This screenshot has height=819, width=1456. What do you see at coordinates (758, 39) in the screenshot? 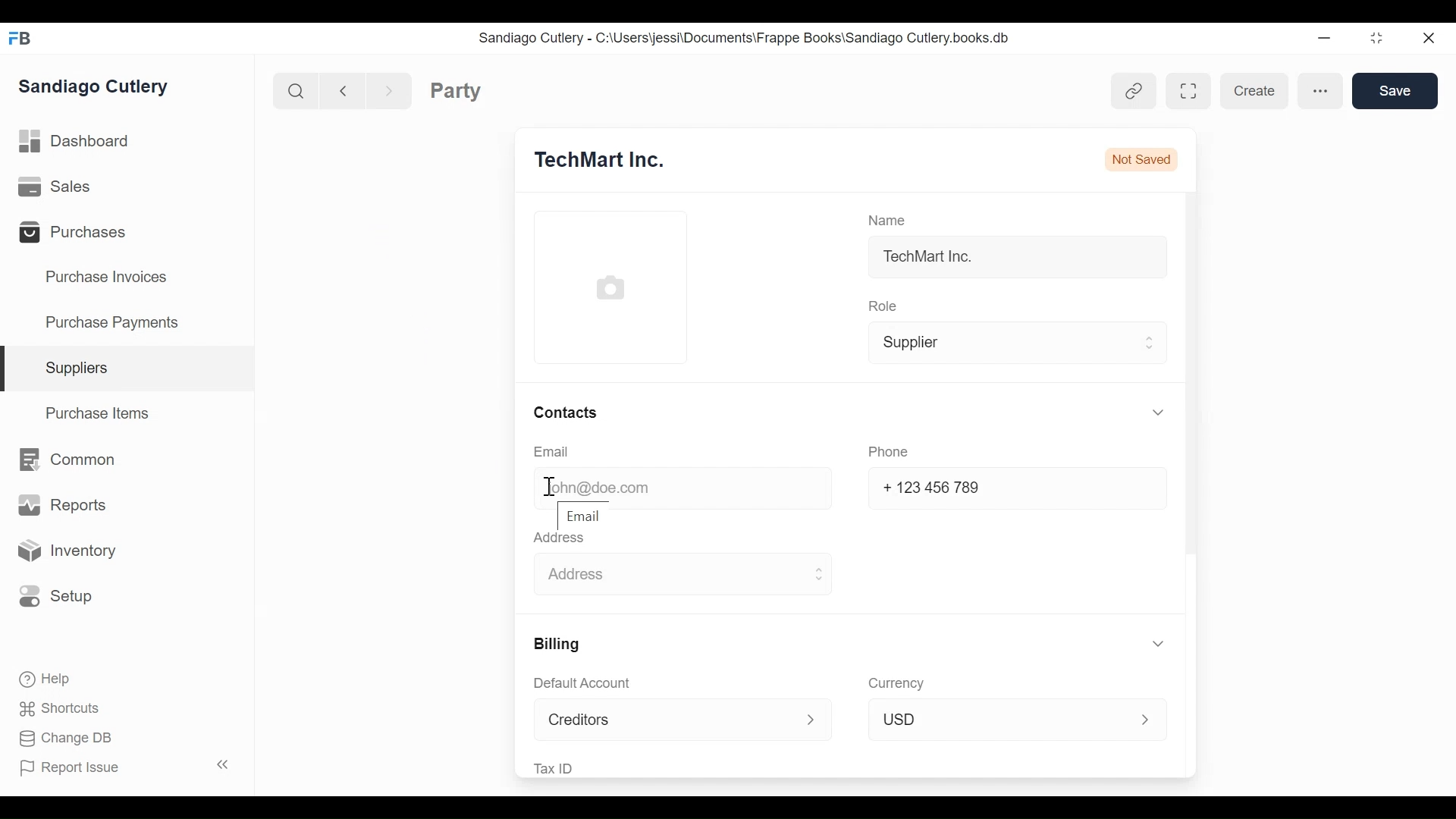
I see `Sandiago Cutlery - C:\Users\jessi\Documents\Frappe Books\Sandiago Cutlery.books.db` at bounding box center [758, 39].